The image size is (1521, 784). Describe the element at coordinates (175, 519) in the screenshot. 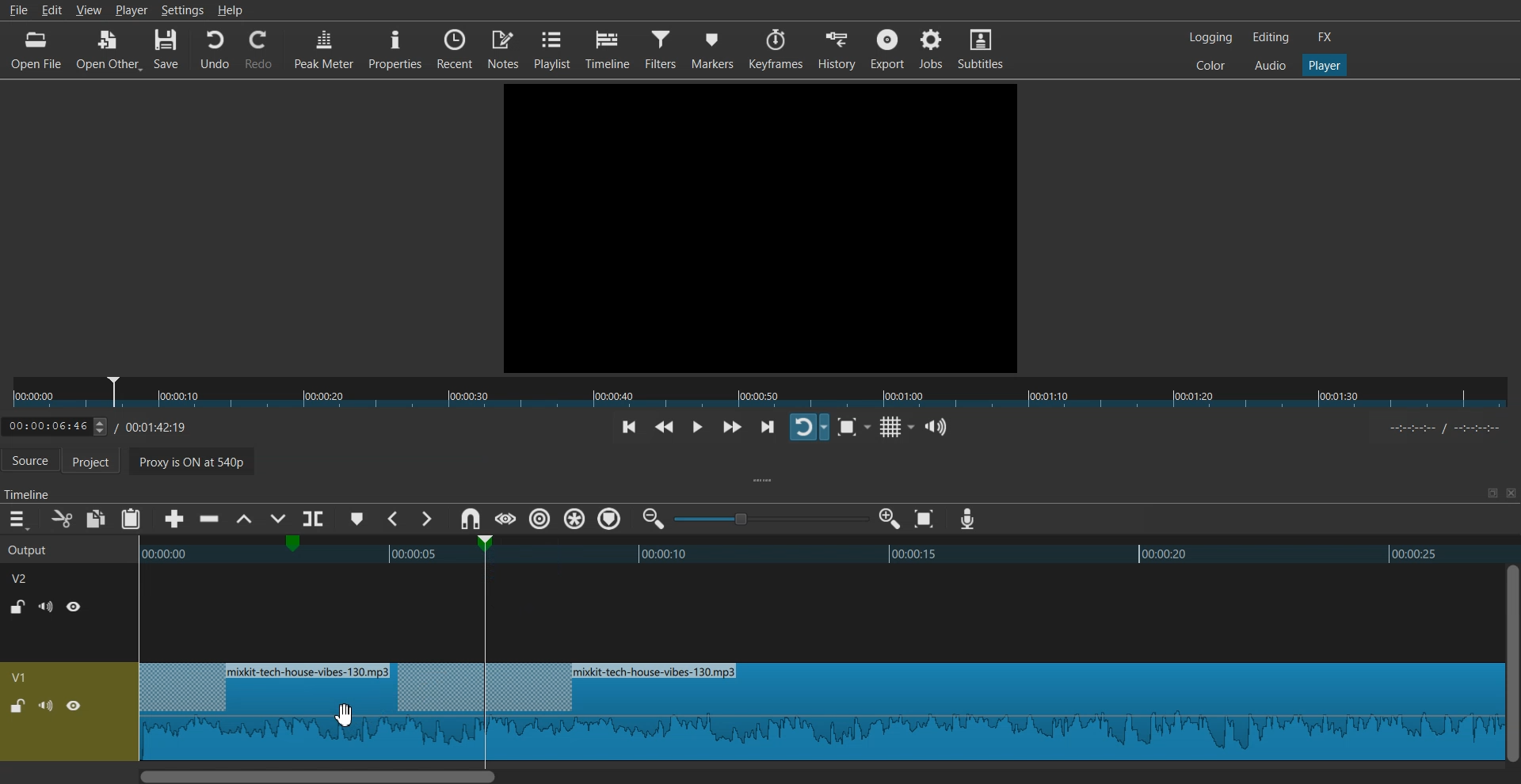

I see `Append ` at that location.